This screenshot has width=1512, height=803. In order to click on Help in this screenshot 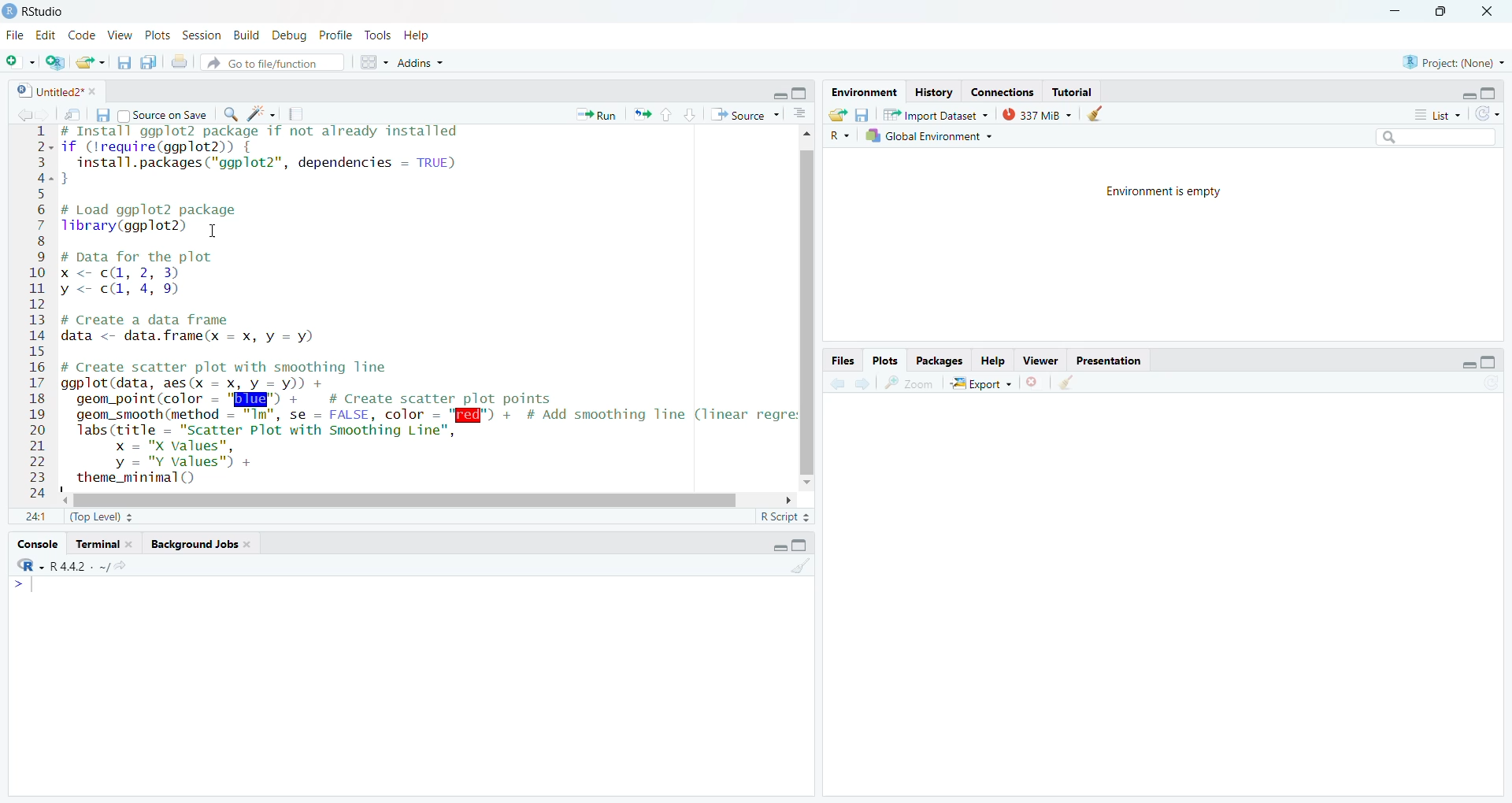, I will do `click(991, 361)`.